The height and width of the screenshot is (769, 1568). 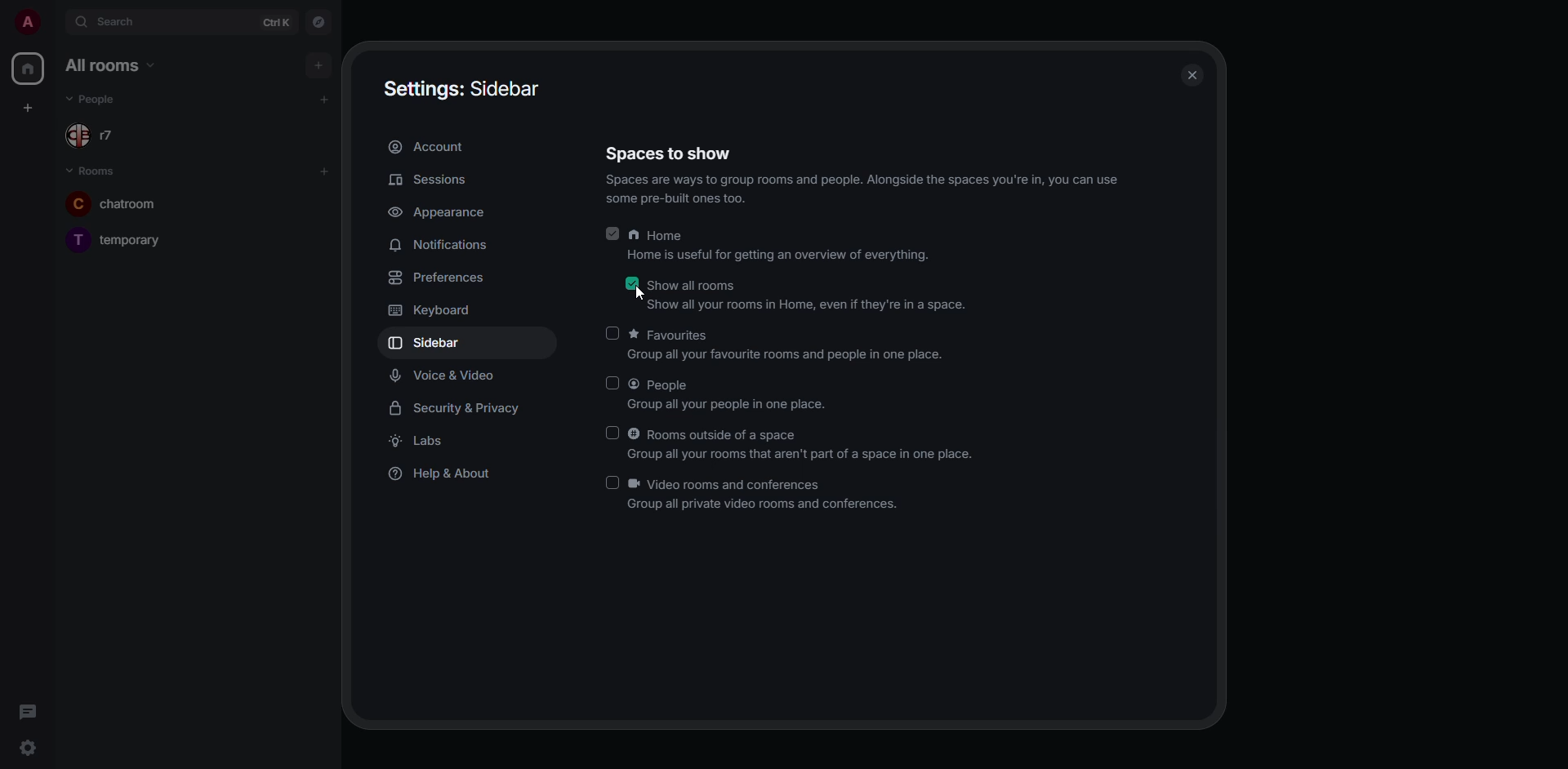 What do you see at coordinates (431, 178) in the screenshot?
I see `sessions` at bounding box center [431, 178].